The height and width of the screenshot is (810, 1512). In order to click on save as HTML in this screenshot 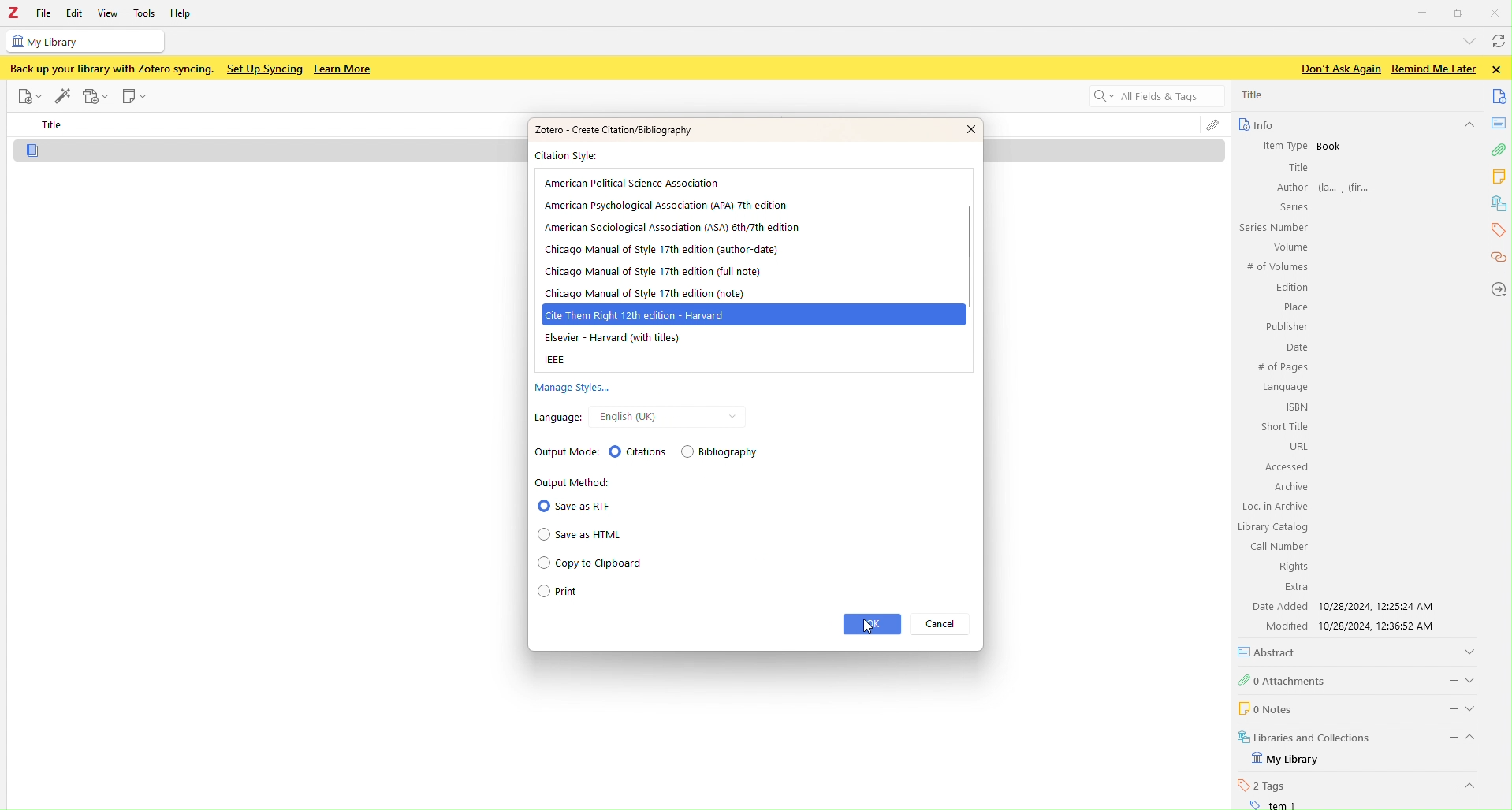, I will do `click(584, 535)`.